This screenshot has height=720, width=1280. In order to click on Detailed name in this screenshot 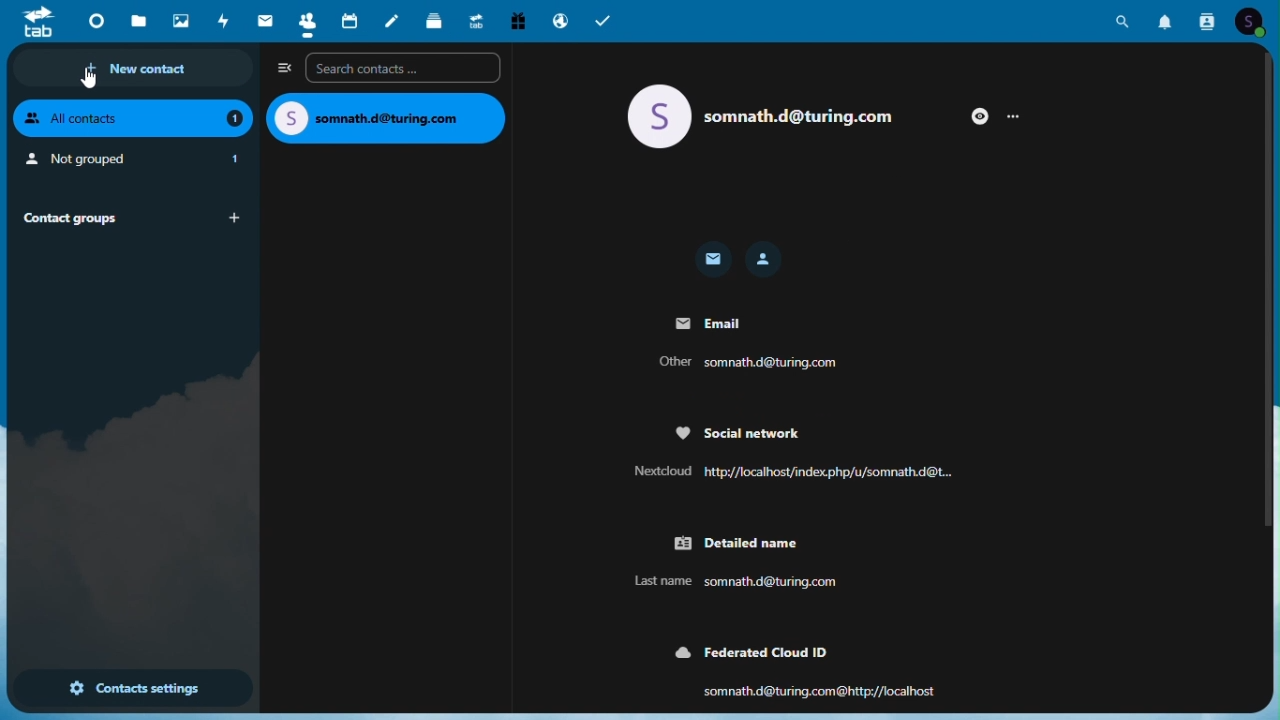, I will do `click(753, 563)`.